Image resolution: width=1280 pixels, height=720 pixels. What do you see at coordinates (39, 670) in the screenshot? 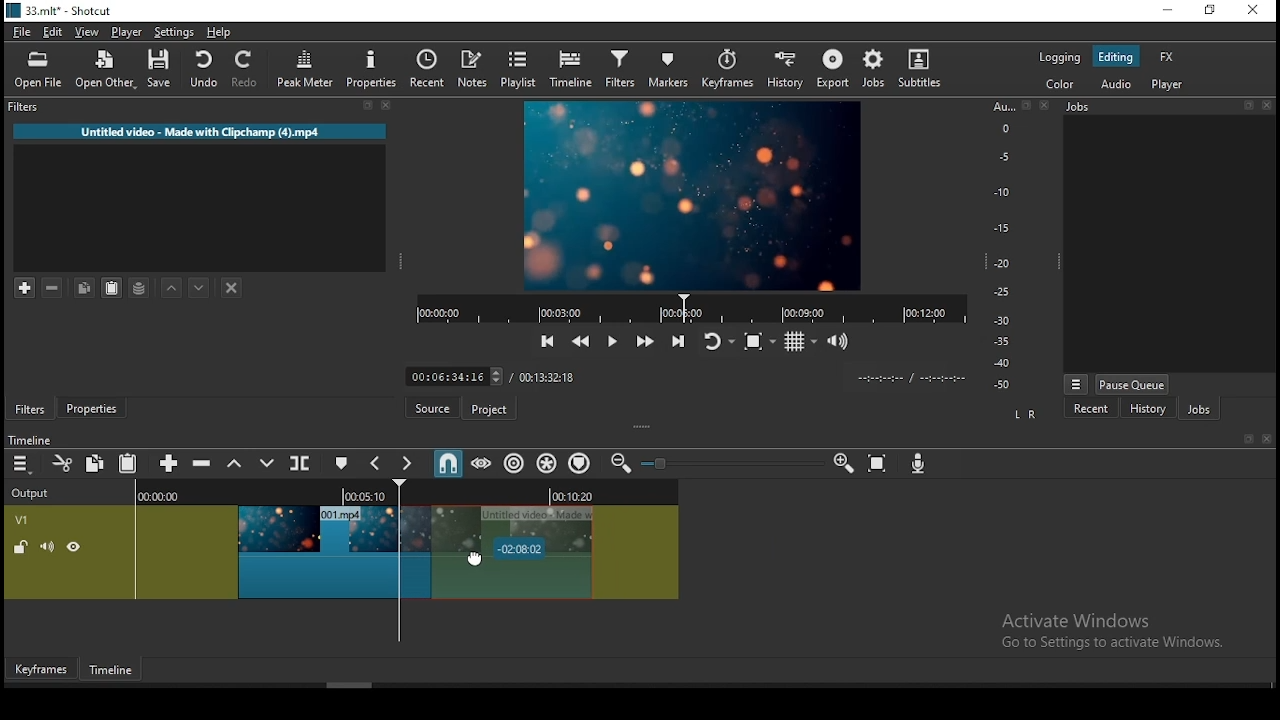
I see `Keyframes` at bounding box center [39, 670].